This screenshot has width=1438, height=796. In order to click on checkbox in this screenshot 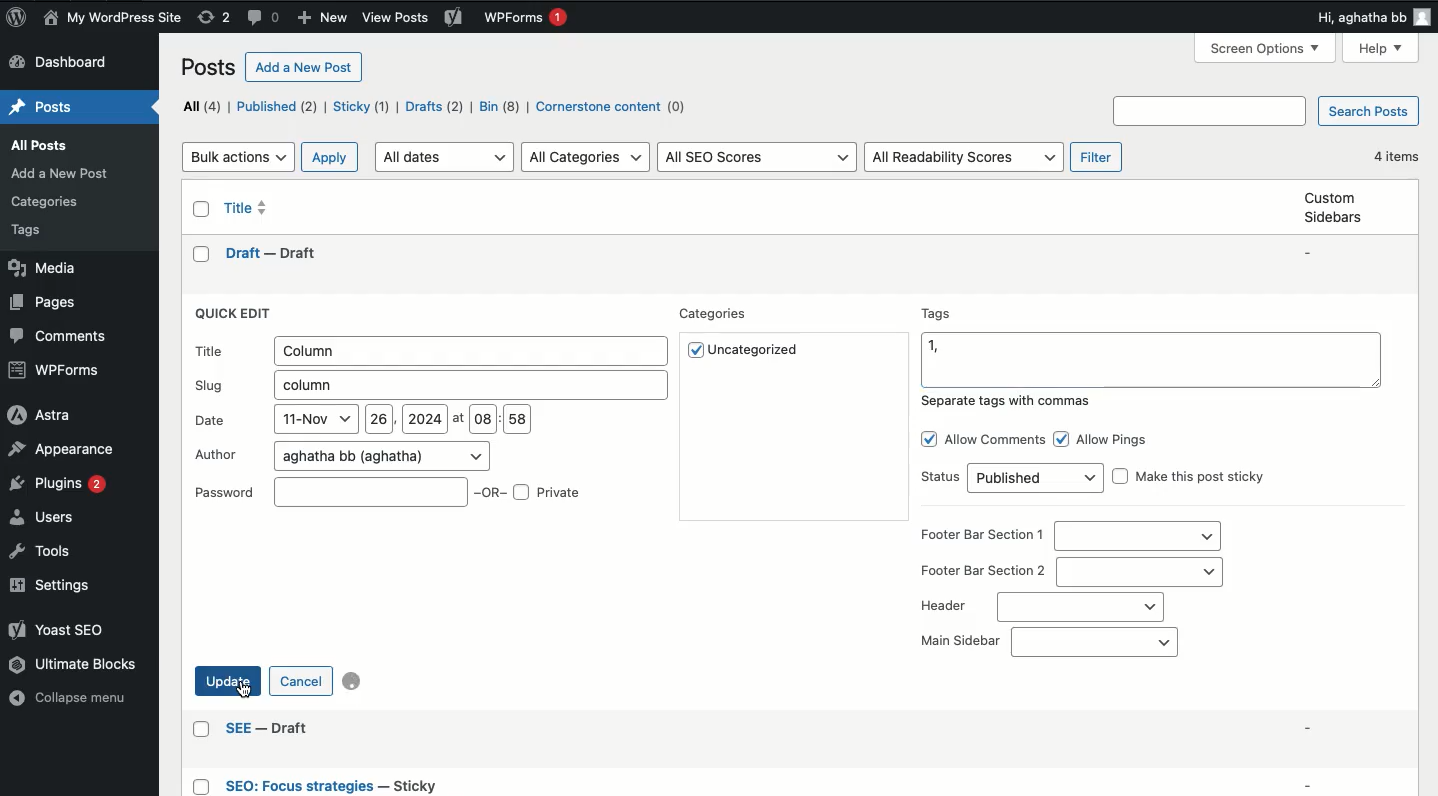, I will do `click(202, 254)`.